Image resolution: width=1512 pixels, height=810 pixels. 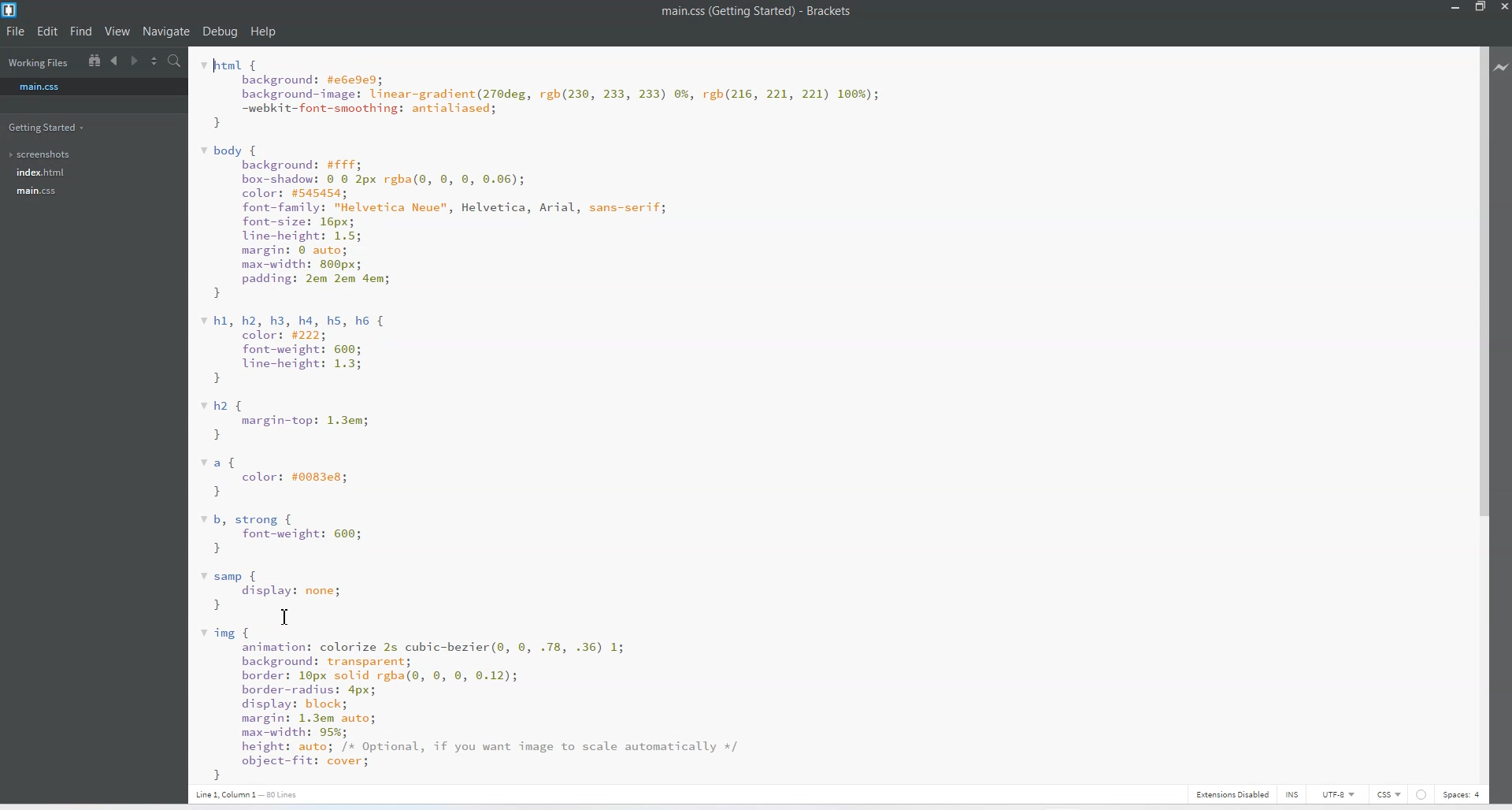 What do you see at coordinates (155, 61) in the screenshot?
I see `Split the editor vertically or Horizontally` at bounding box center [155, 61].